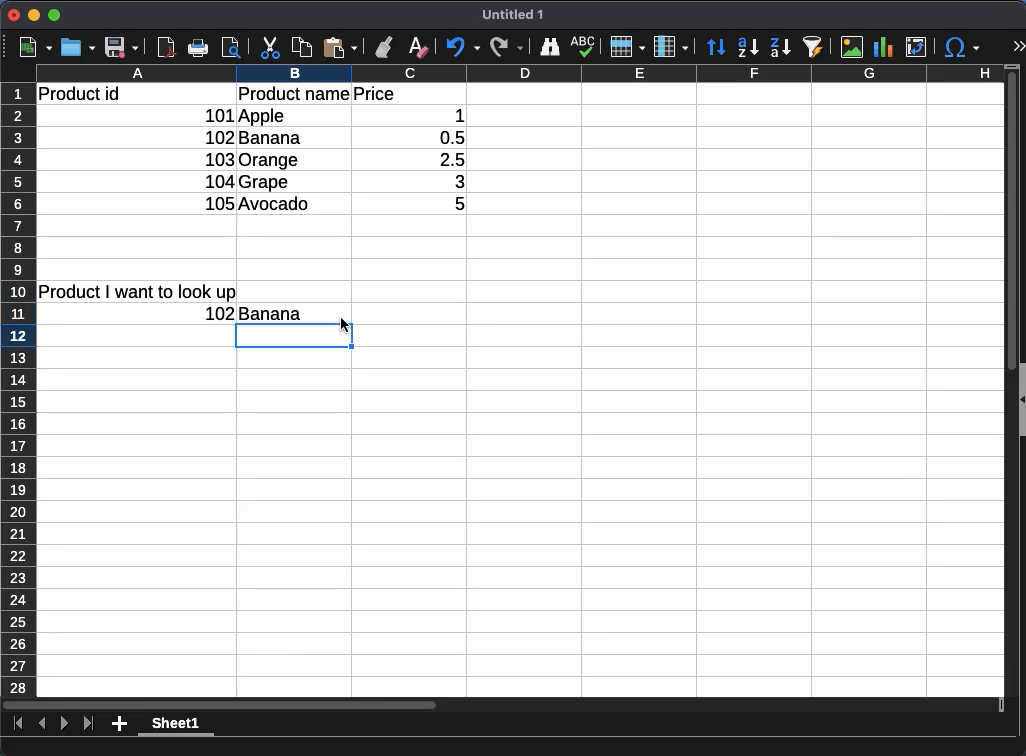 Image resolution: width=1026 pixels, height=756 pixels. I want to click on descending , so click(781, 48).